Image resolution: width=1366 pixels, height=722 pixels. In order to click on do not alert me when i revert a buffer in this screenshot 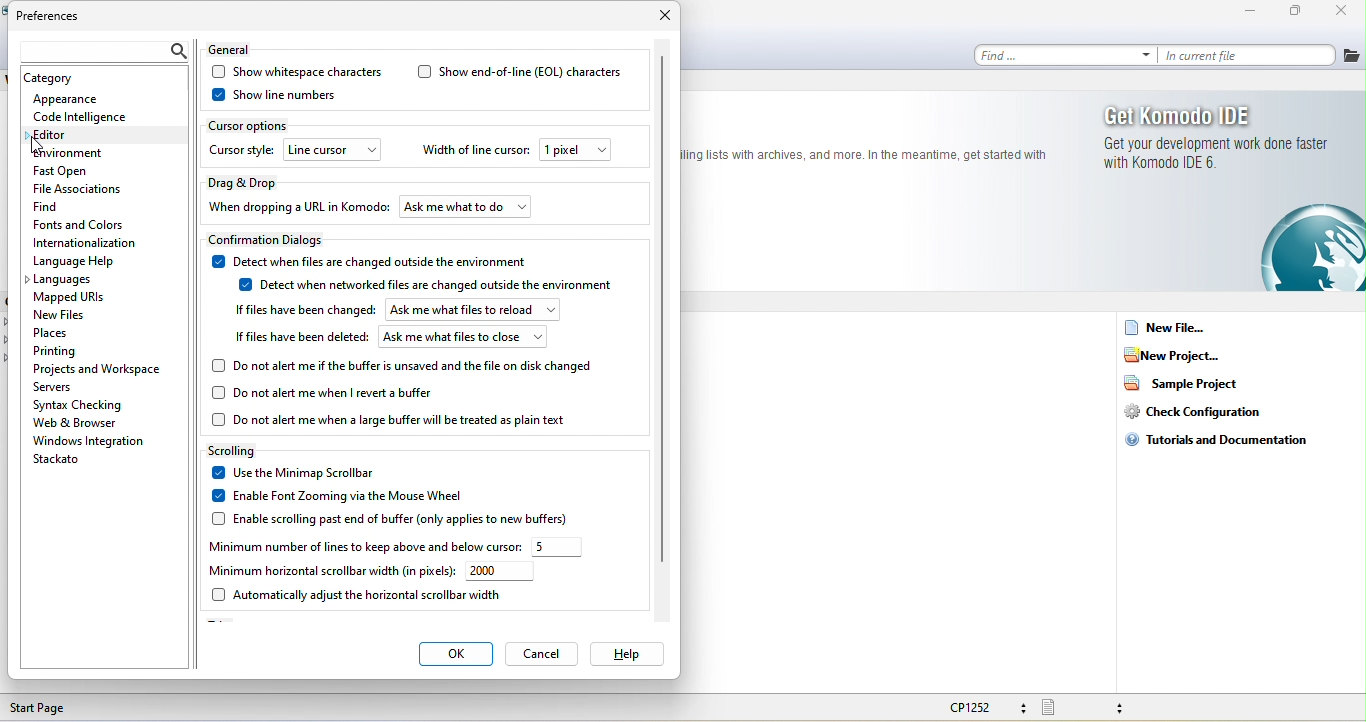, I will do `click(330, 394)`.